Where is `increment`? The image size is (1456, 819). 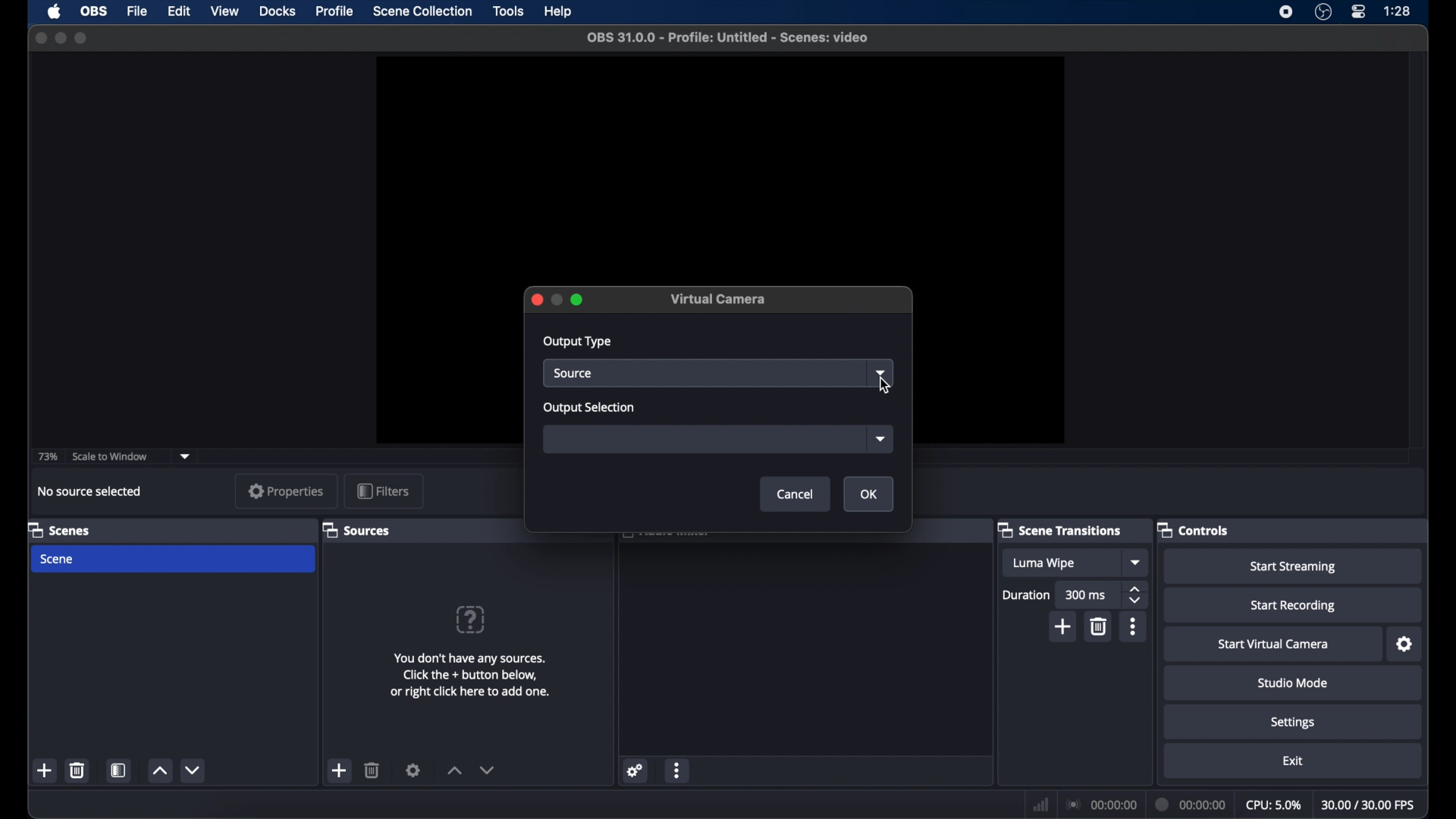 increment is located at coordinates (158, 770).